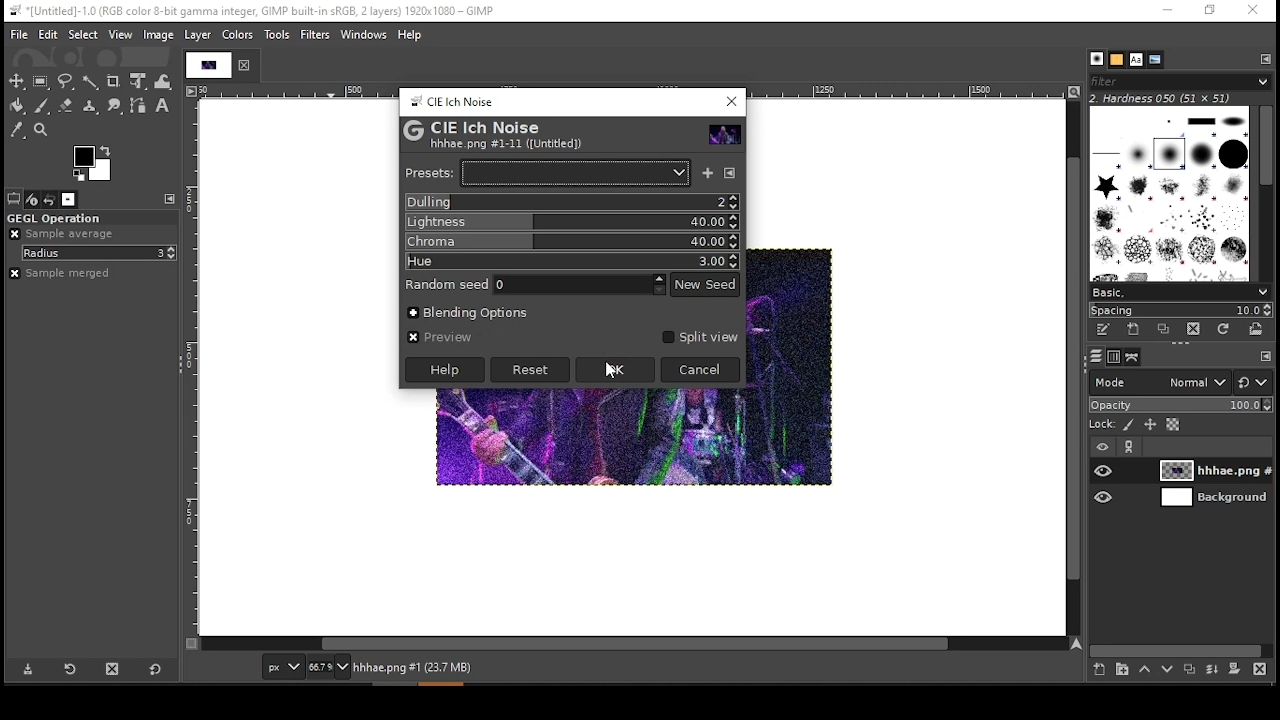 This screenshot has height=720, width=1280. I want to click on zoom tool, so click(42, 132).